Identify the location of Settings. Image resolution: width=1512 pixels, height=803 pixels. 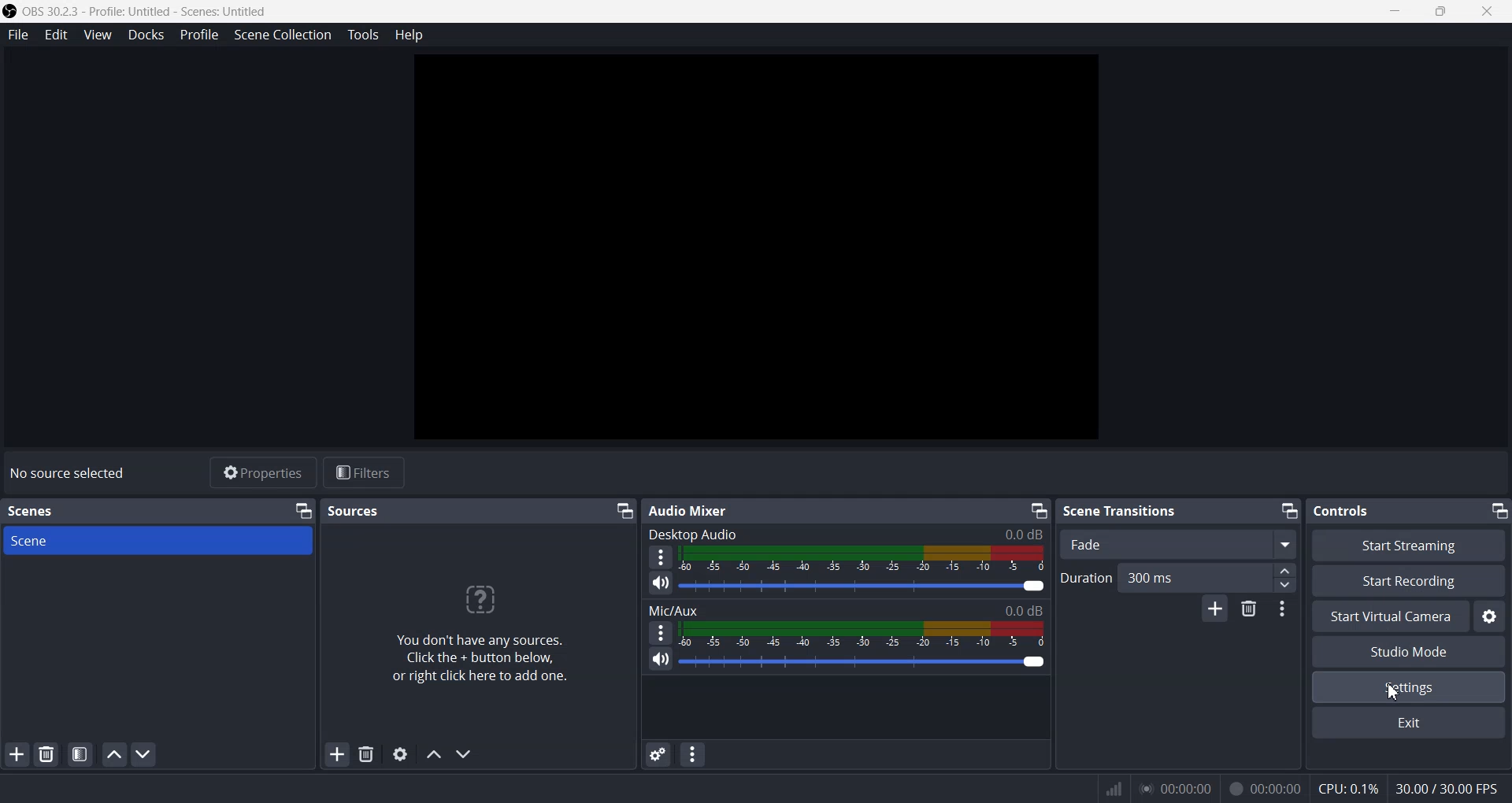
(1409, 687).